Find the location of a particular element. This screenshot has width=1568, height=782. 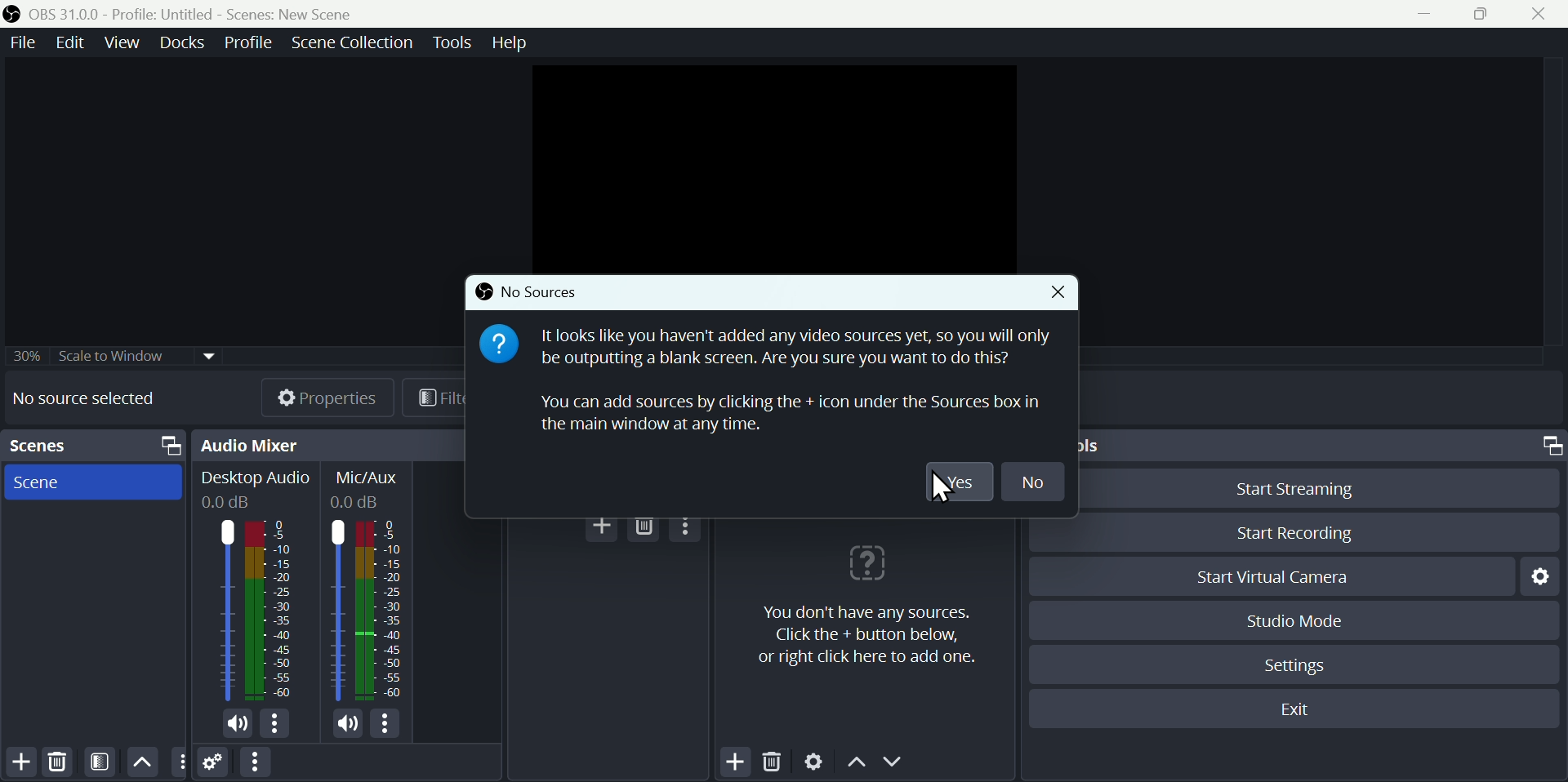

scenes collection is located at coordinates (351, 42).